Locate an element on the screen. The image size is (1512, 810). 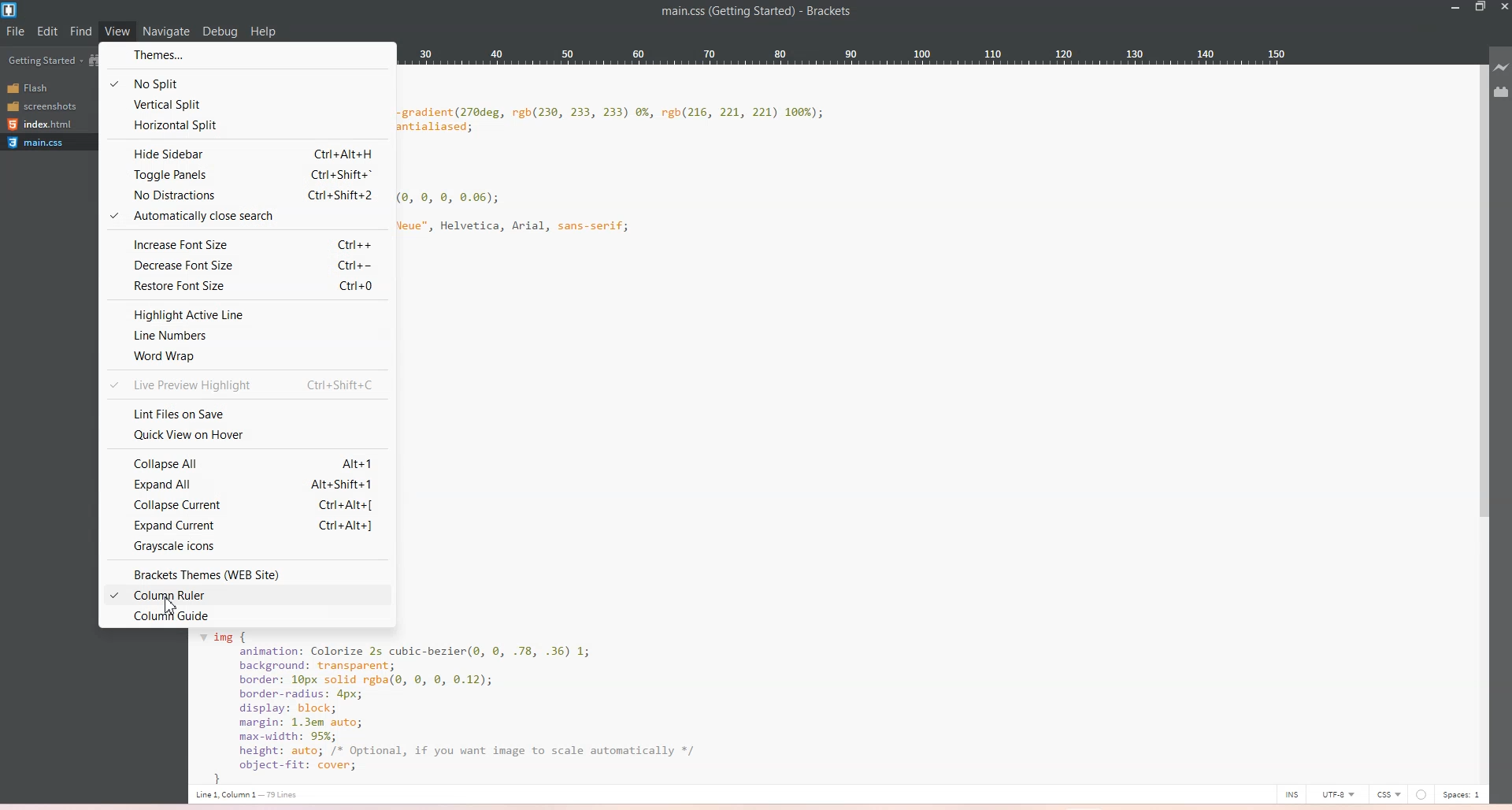
View is located at coordinates (119, 30).